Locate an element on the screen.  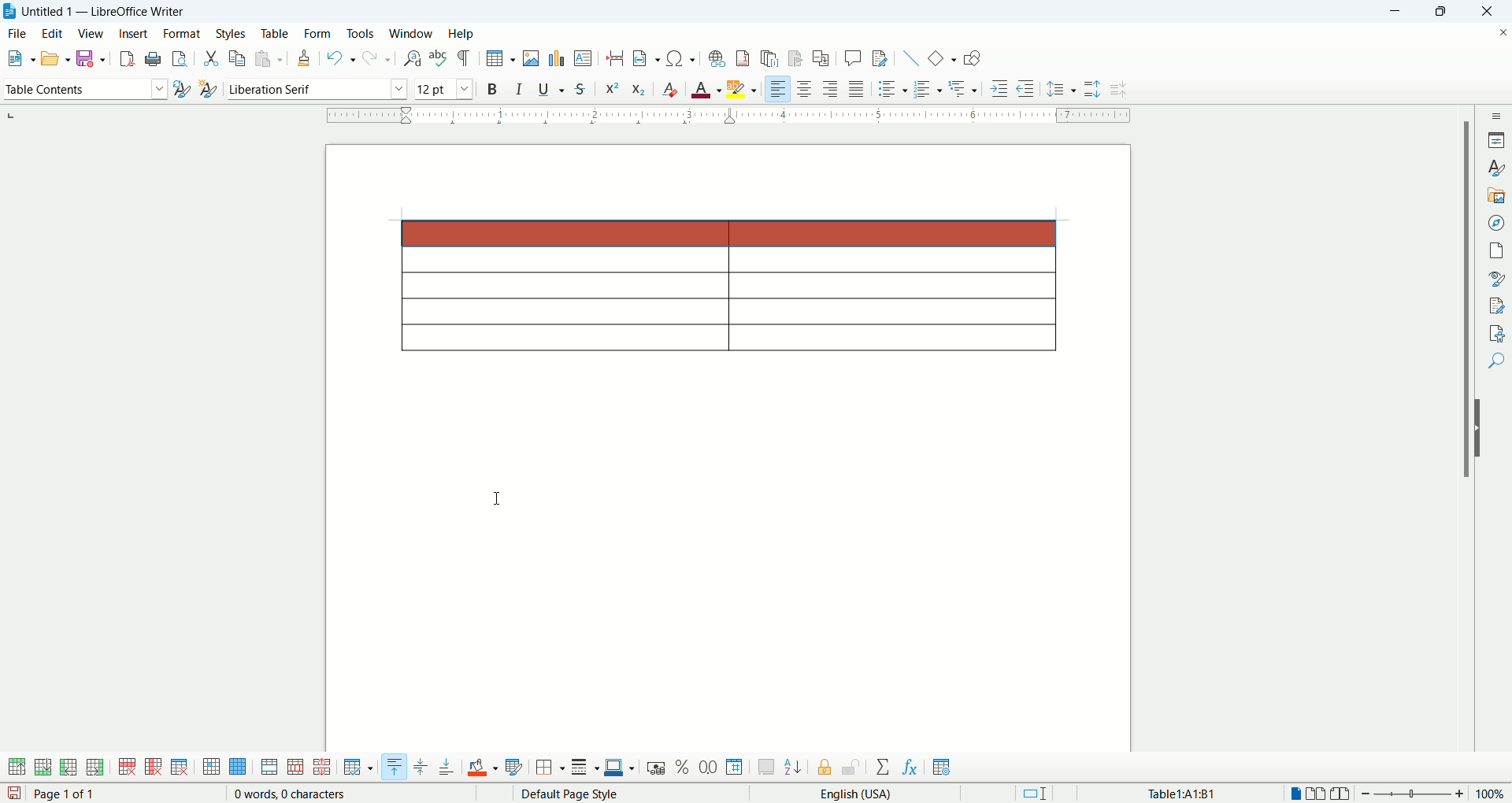
close is located at coordinates (1484, 13).